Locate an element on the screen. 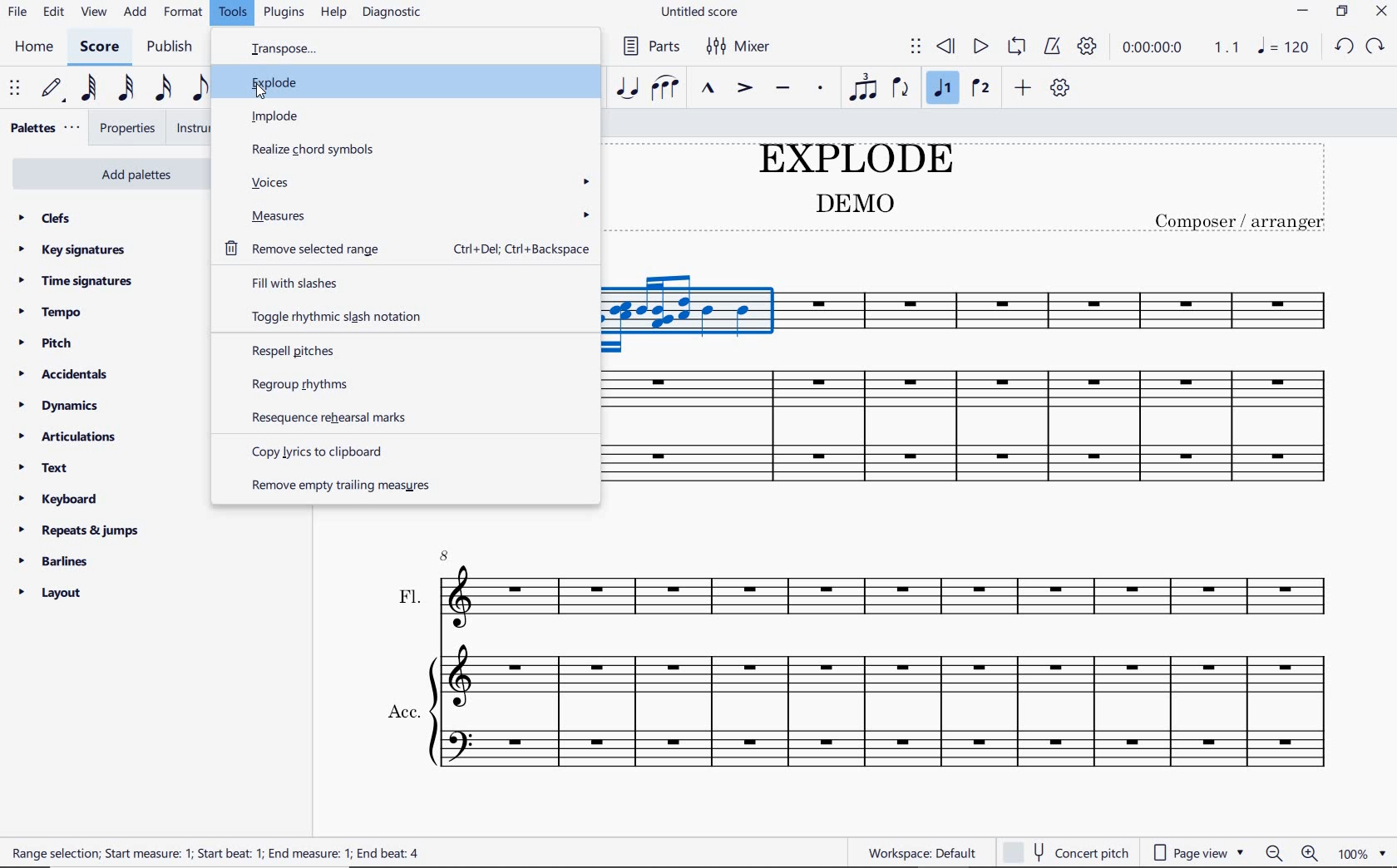 This screenshot has height=868, width=1397. 16th note is located at coordinates (165, 90).